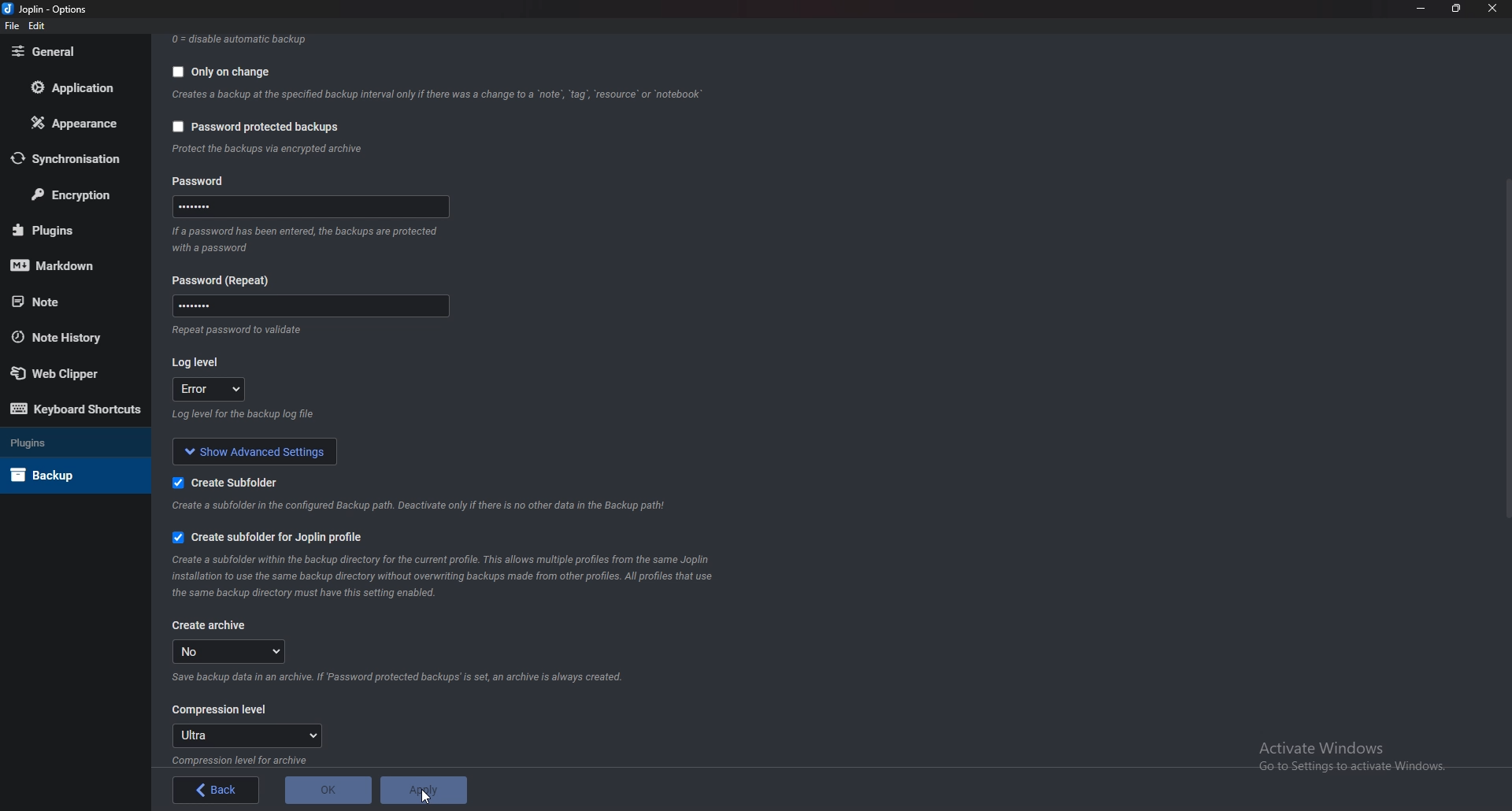  What do you see at coordinates (46, 9) in the screenshot?
I see `joplin` at bounding box center [46, 9].